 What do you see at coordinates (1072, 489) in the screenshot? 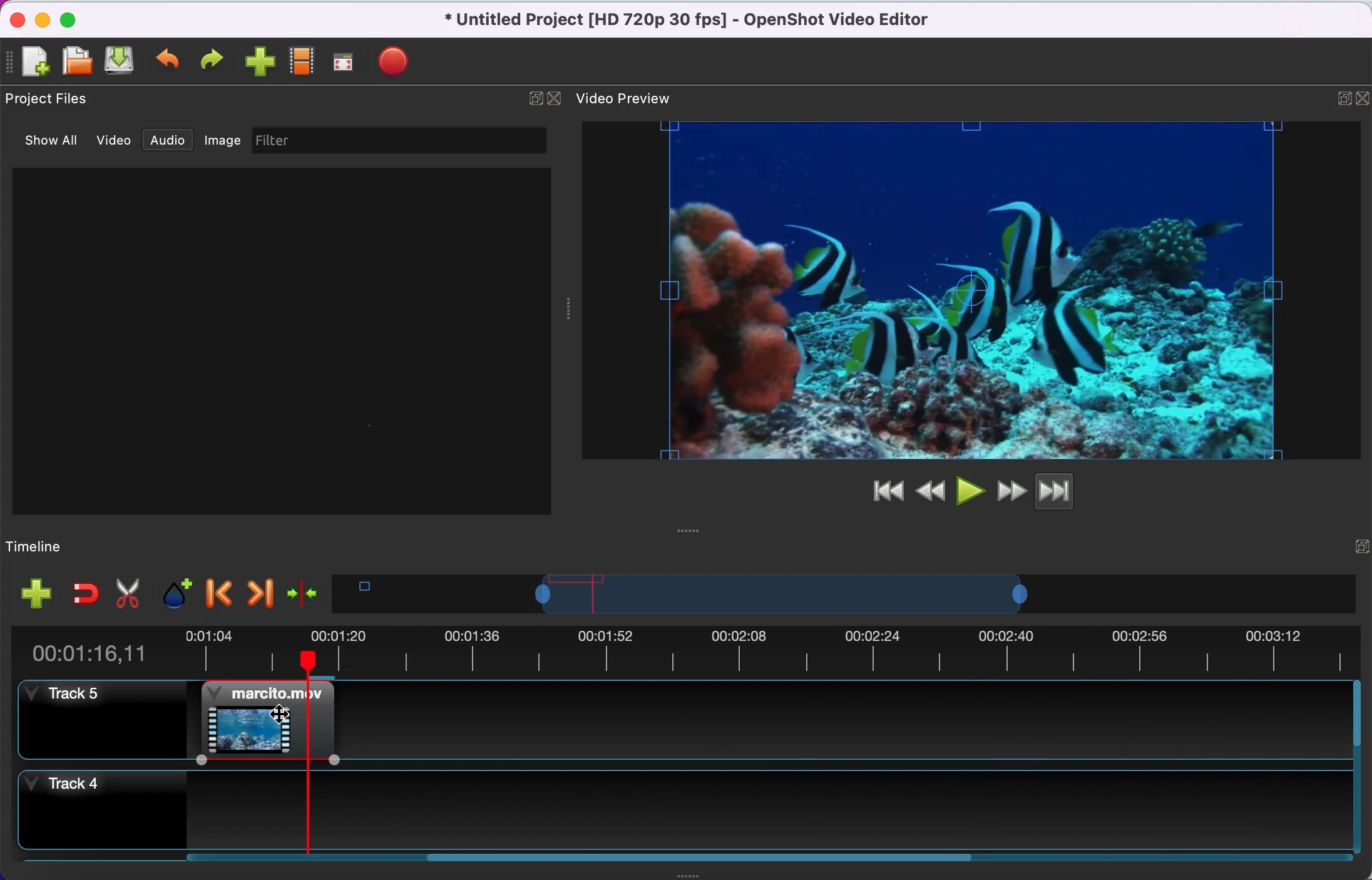
I see `jump to end` at bounding box center [1072, 489].